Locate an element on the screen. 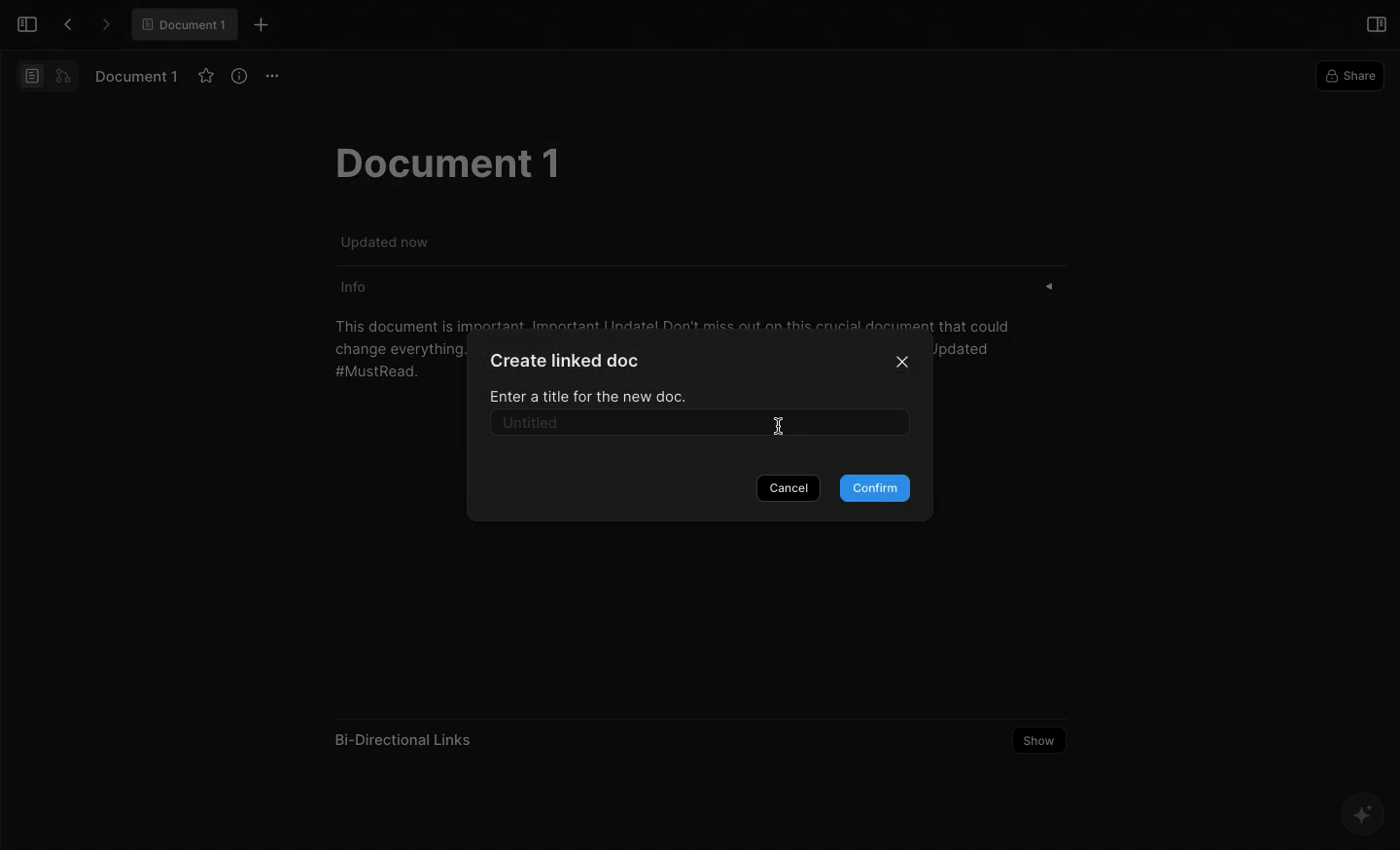 The image size is (1400, 850). cursor is located at coordinates (780, 429).